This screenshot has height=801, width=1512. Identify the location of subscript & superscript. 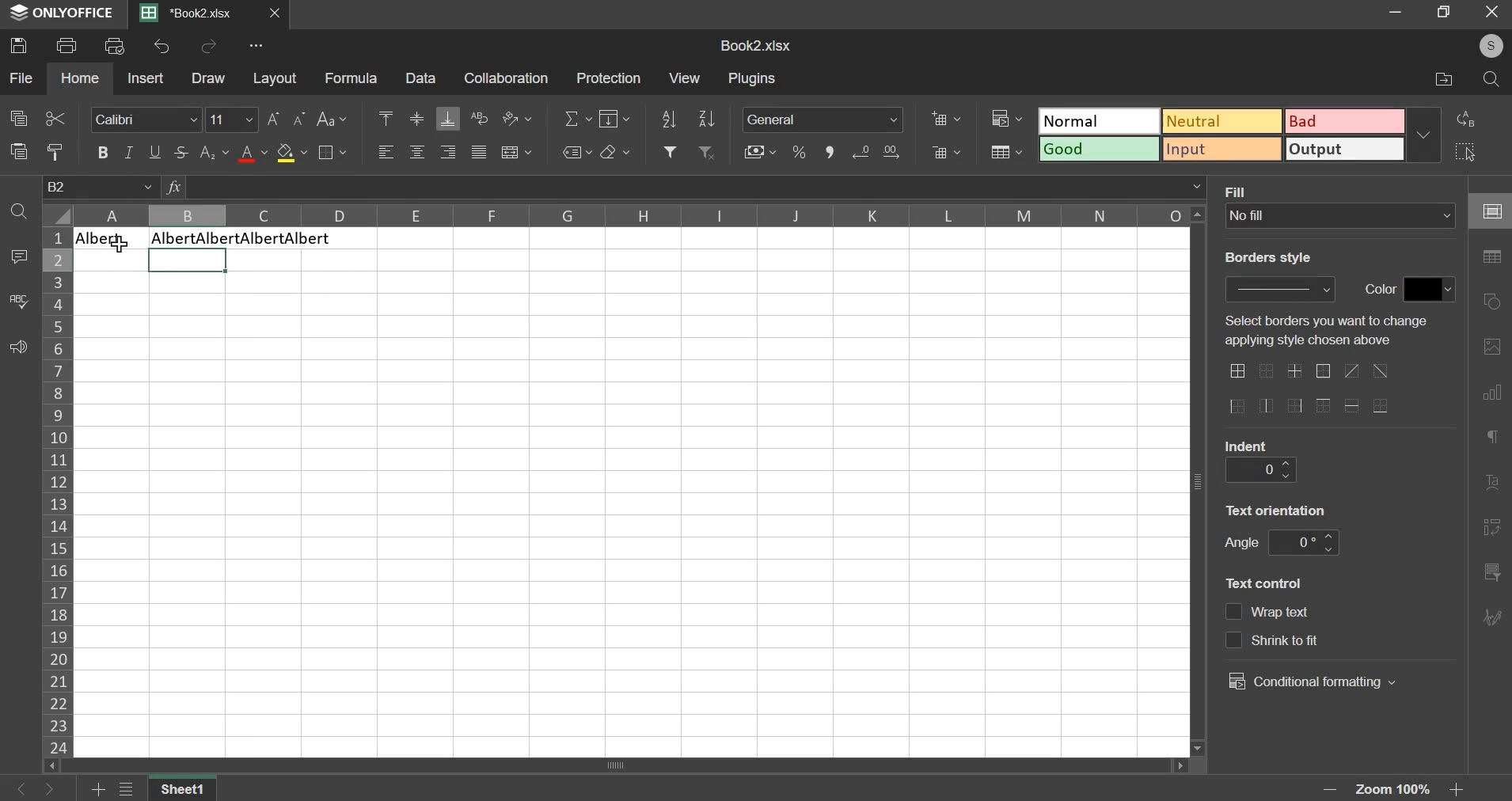
(215, 152).